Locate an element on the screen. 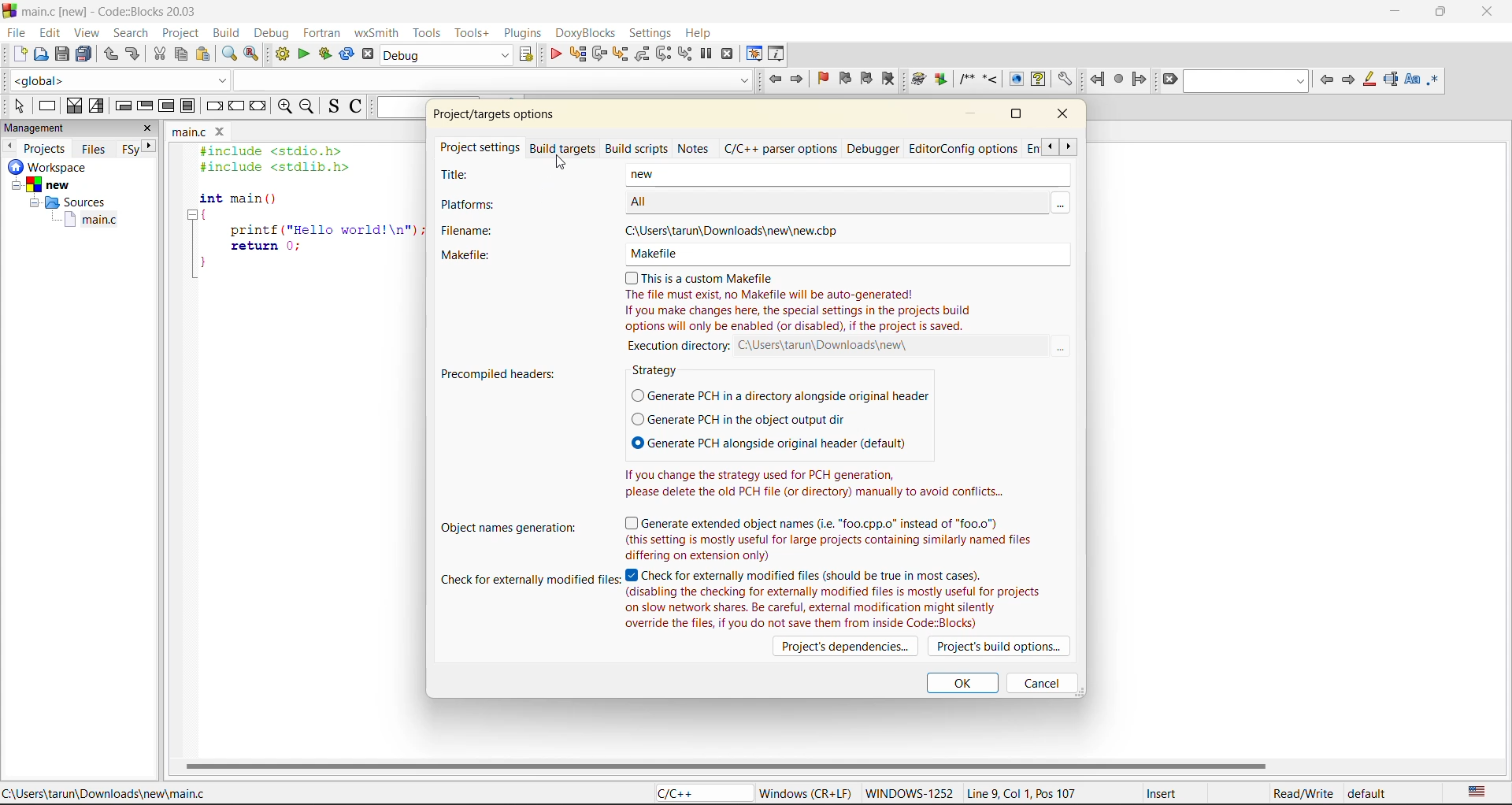 This screenshot has height=805, width=1512. previous is located at coordinates (10, 146).